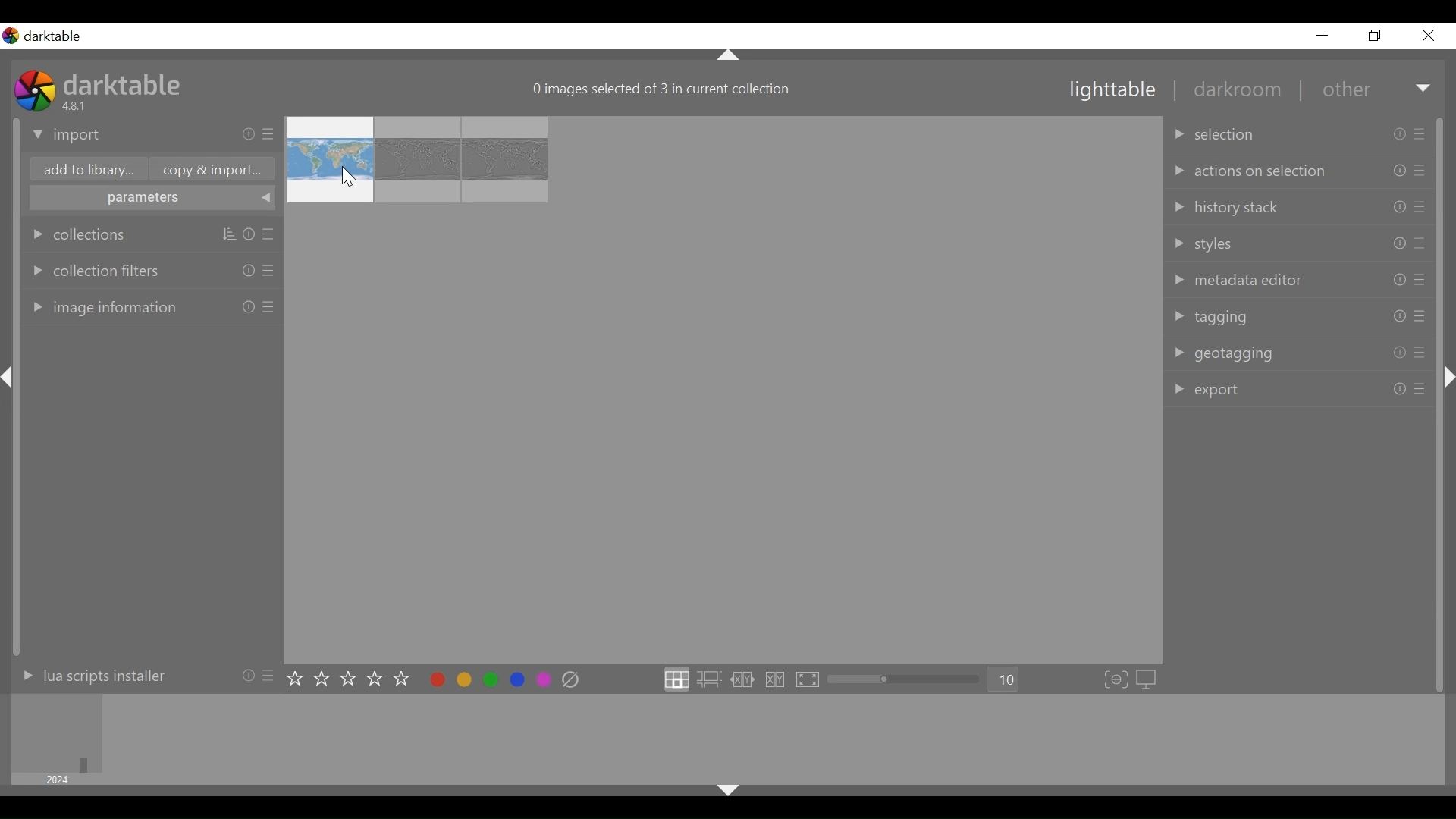 The image size is (1456, 819). What do you see at coordinates (806, 679) in the screenshot?
I see `click to enter full preview mode ` at bounding box center [806, 679].